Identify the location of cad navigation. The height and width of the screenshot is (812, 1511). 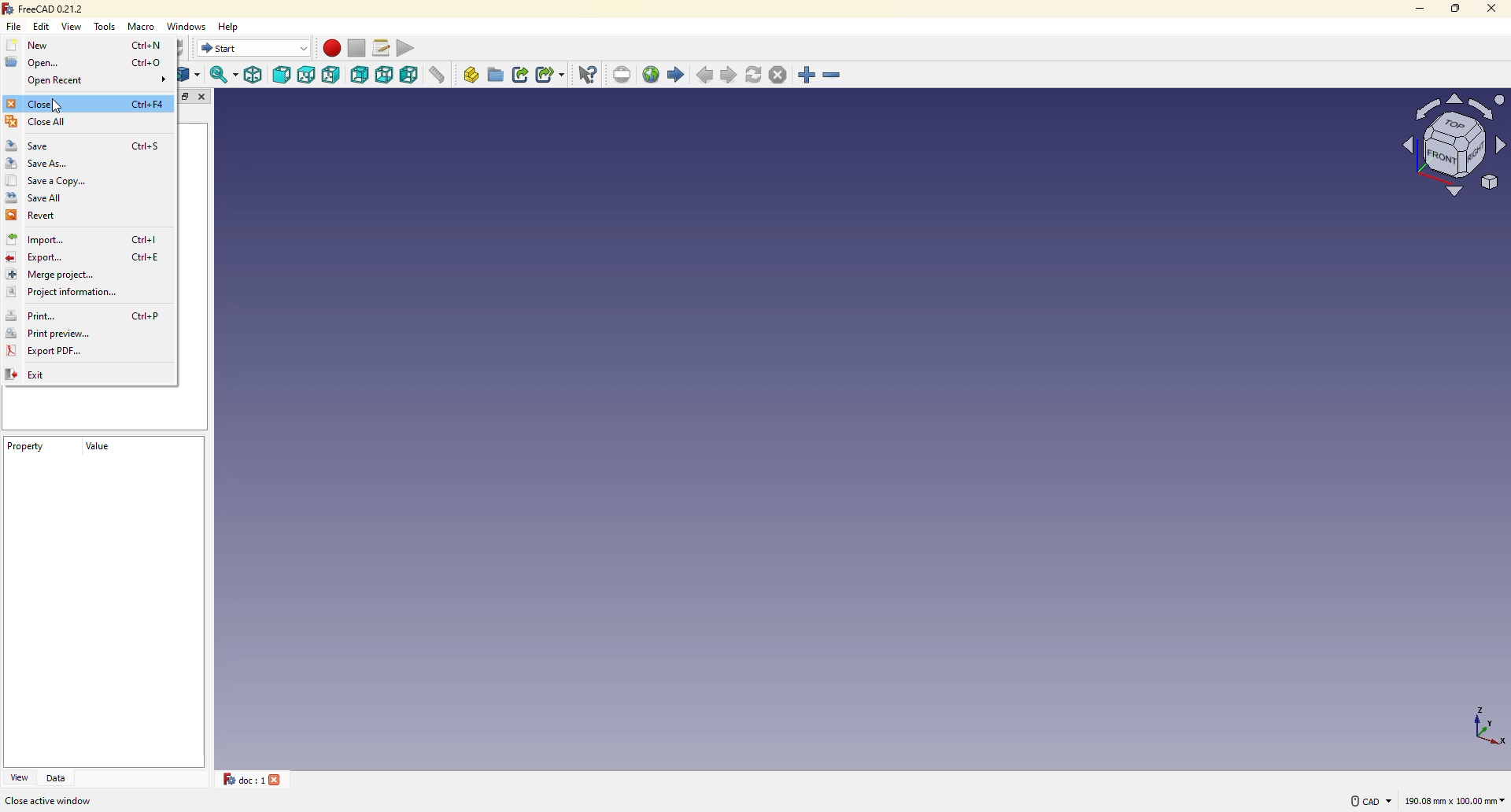
(1369, 800).